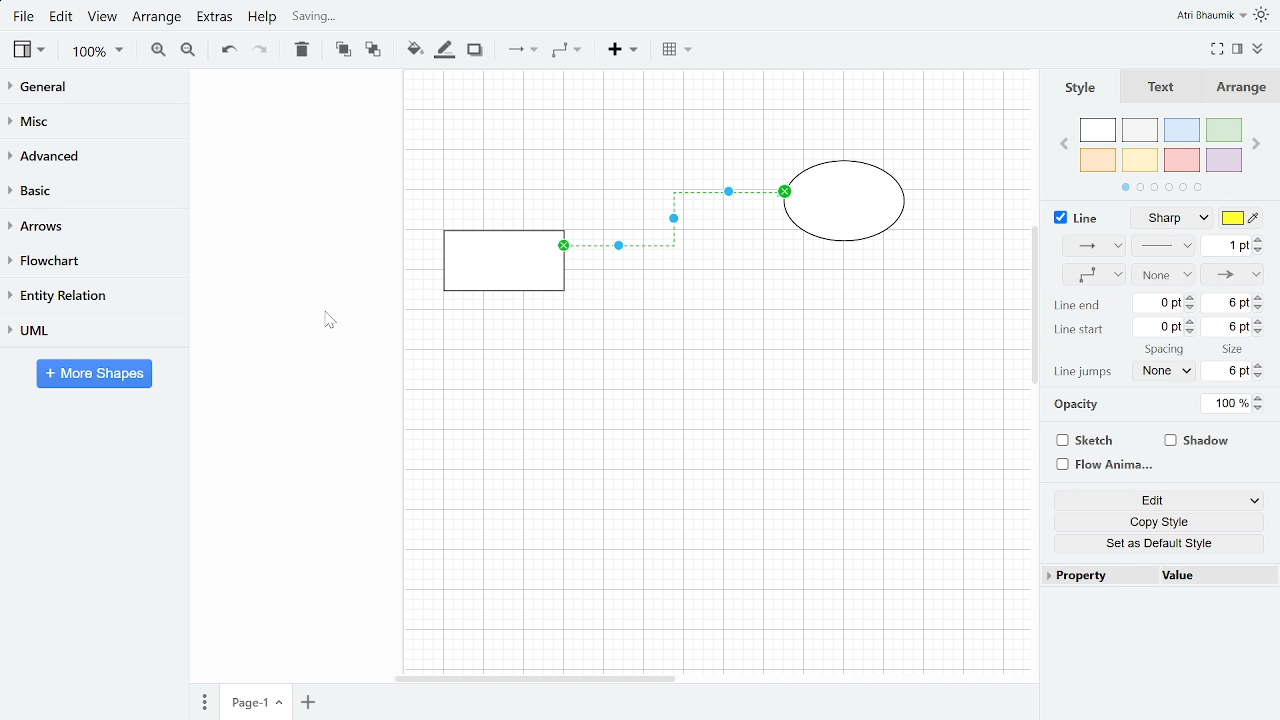  Describe the element at coordinates (443, 51) in the screenshot. I see `Fill line` at that location.